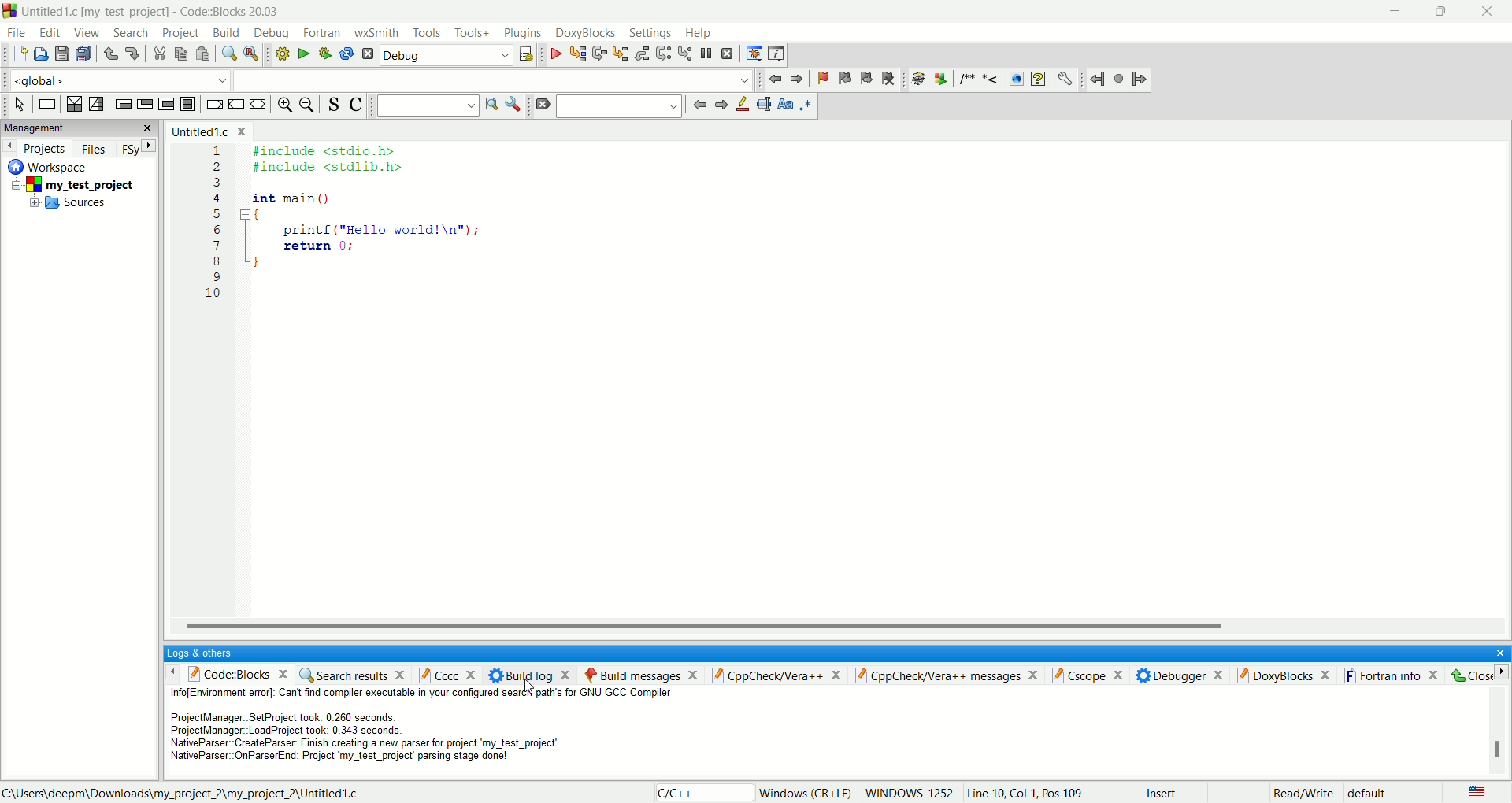 The height and width of the screenshot is (803, 1512). What do you see at coordinates (446, 57) in the screenshot?
I see `debug` at bounding box center [446, 57].